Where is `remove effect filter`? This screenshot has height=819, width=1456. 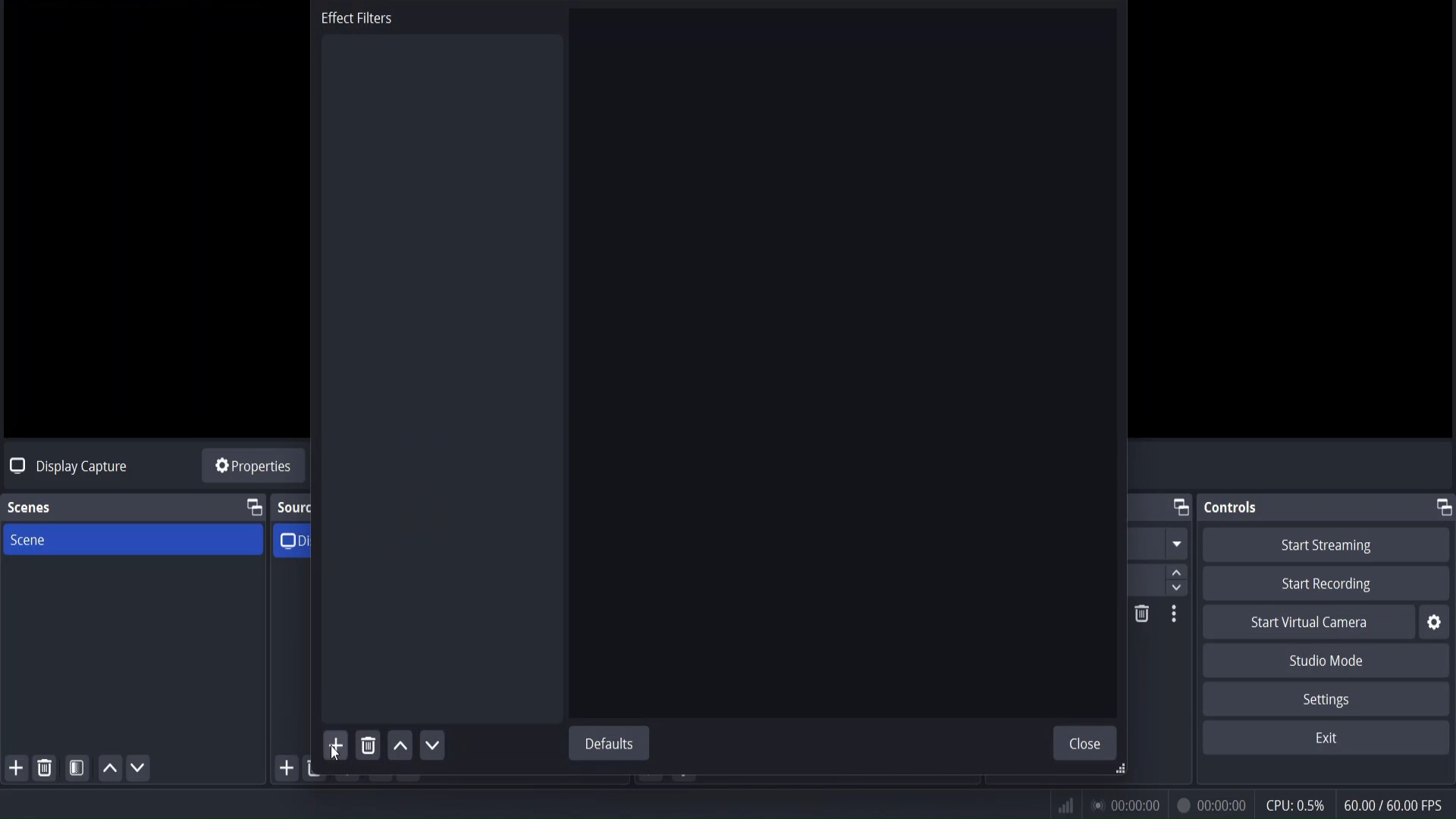 remove effect filter is located at coordinates (369, 745).